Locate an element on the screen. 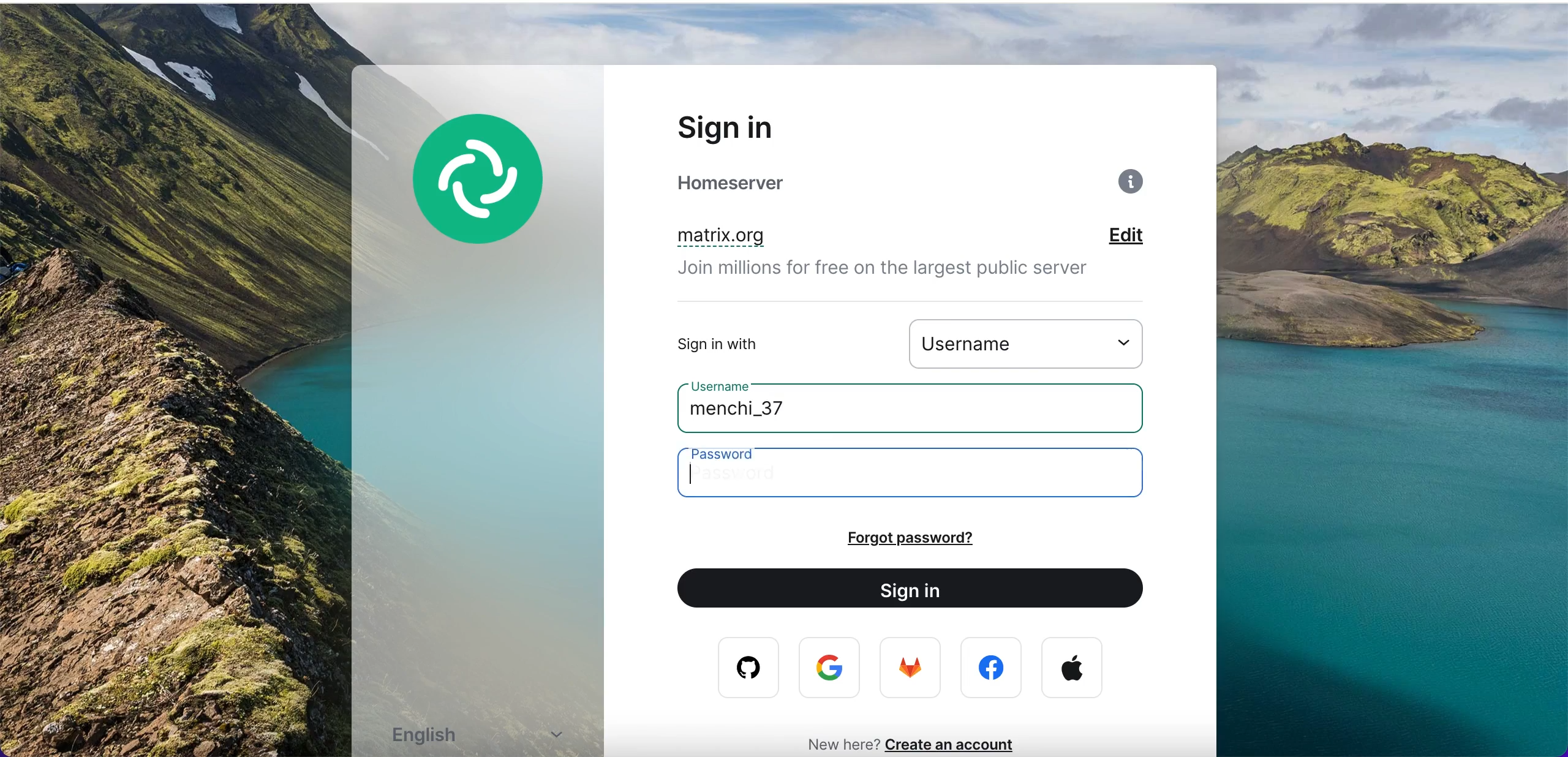 This screenshot has width=1568, height=757. new here? is located at coordinates (836, 743).